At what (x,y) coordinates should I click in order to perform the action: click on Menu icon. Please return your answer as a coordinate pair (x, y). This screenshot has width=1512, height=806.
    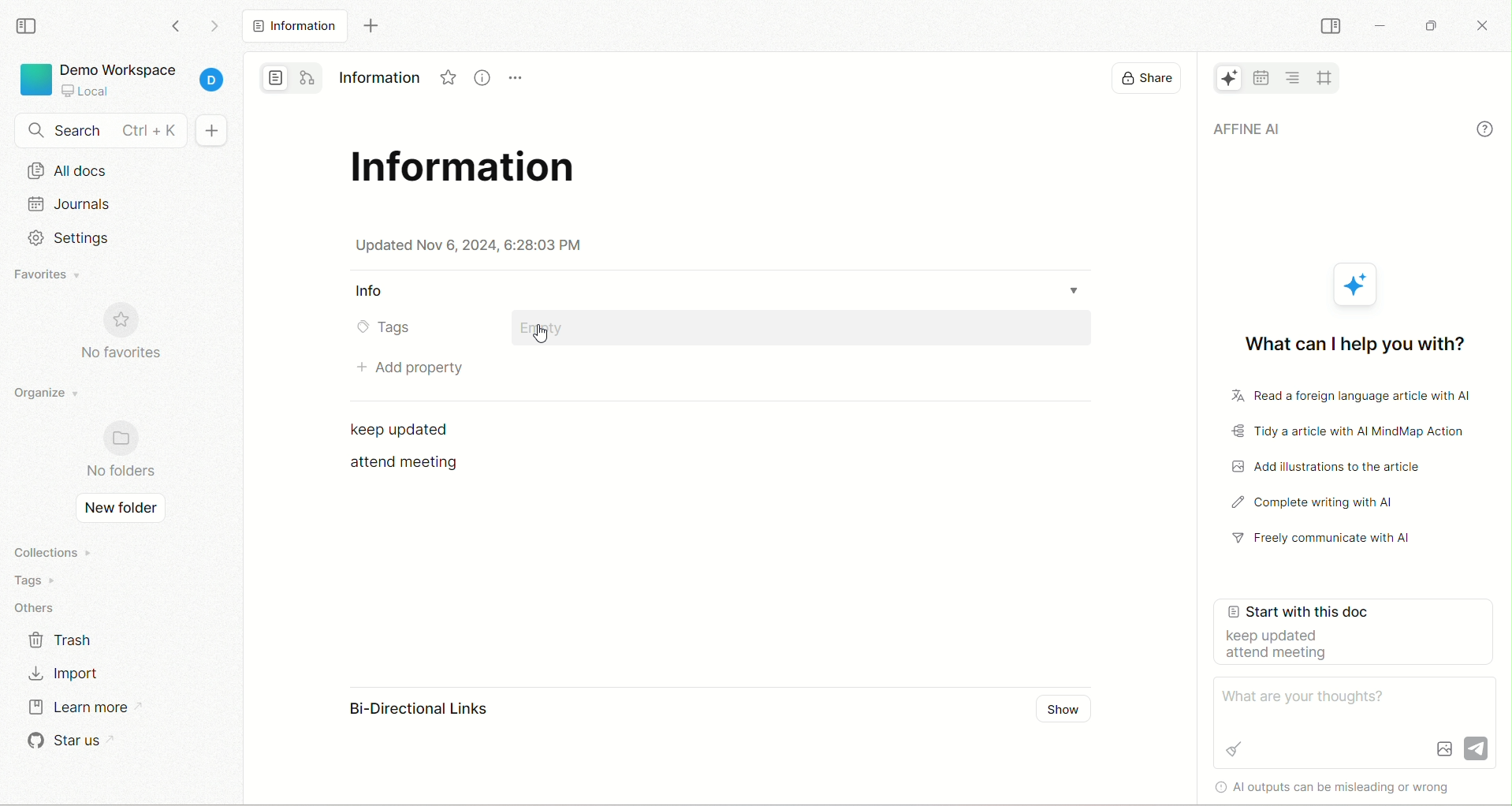
    Looking at the image, I should click on (520, 80).